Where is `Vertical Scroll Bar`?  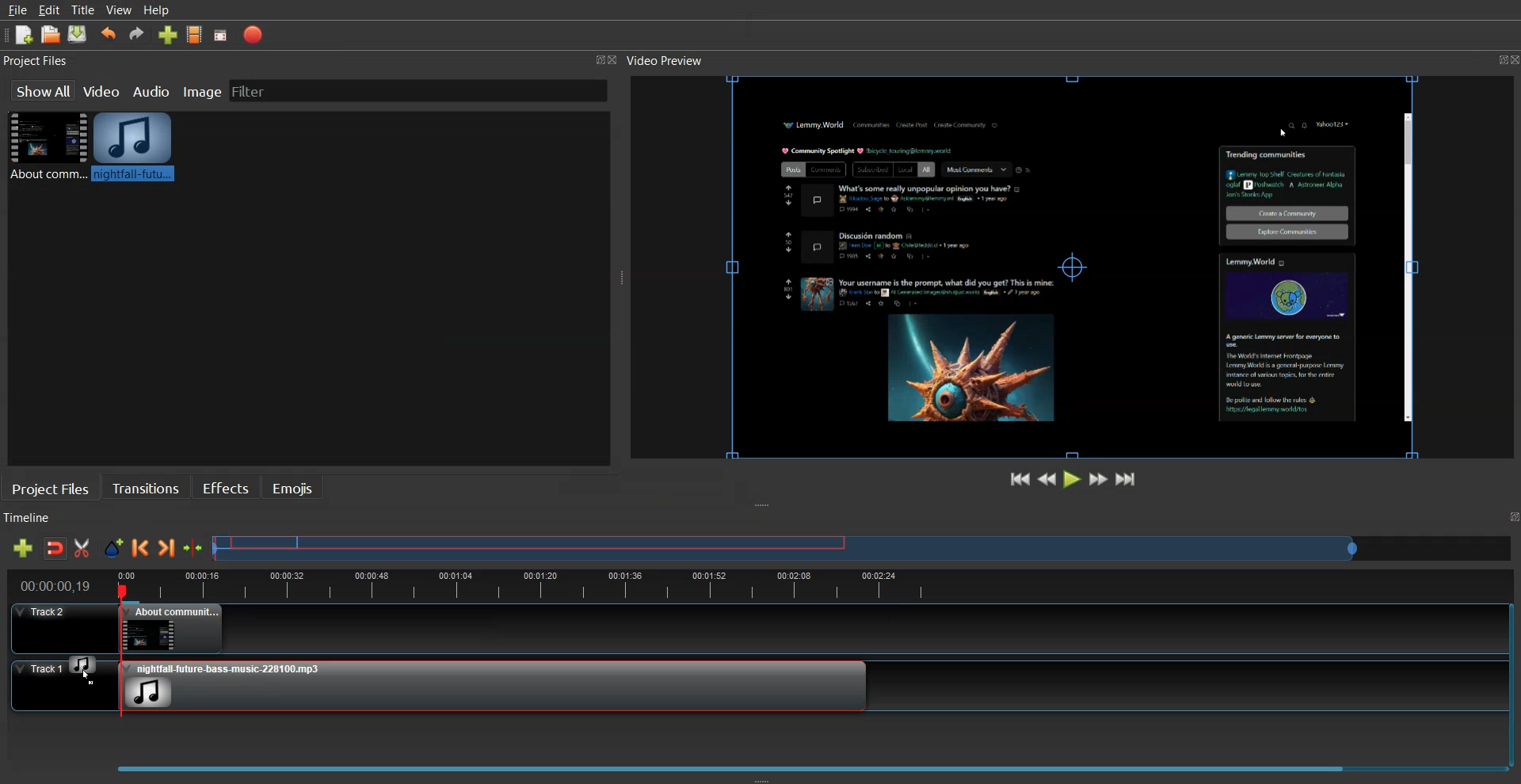 Vertical Scroll Bar is located at coordinates (1511, 678).